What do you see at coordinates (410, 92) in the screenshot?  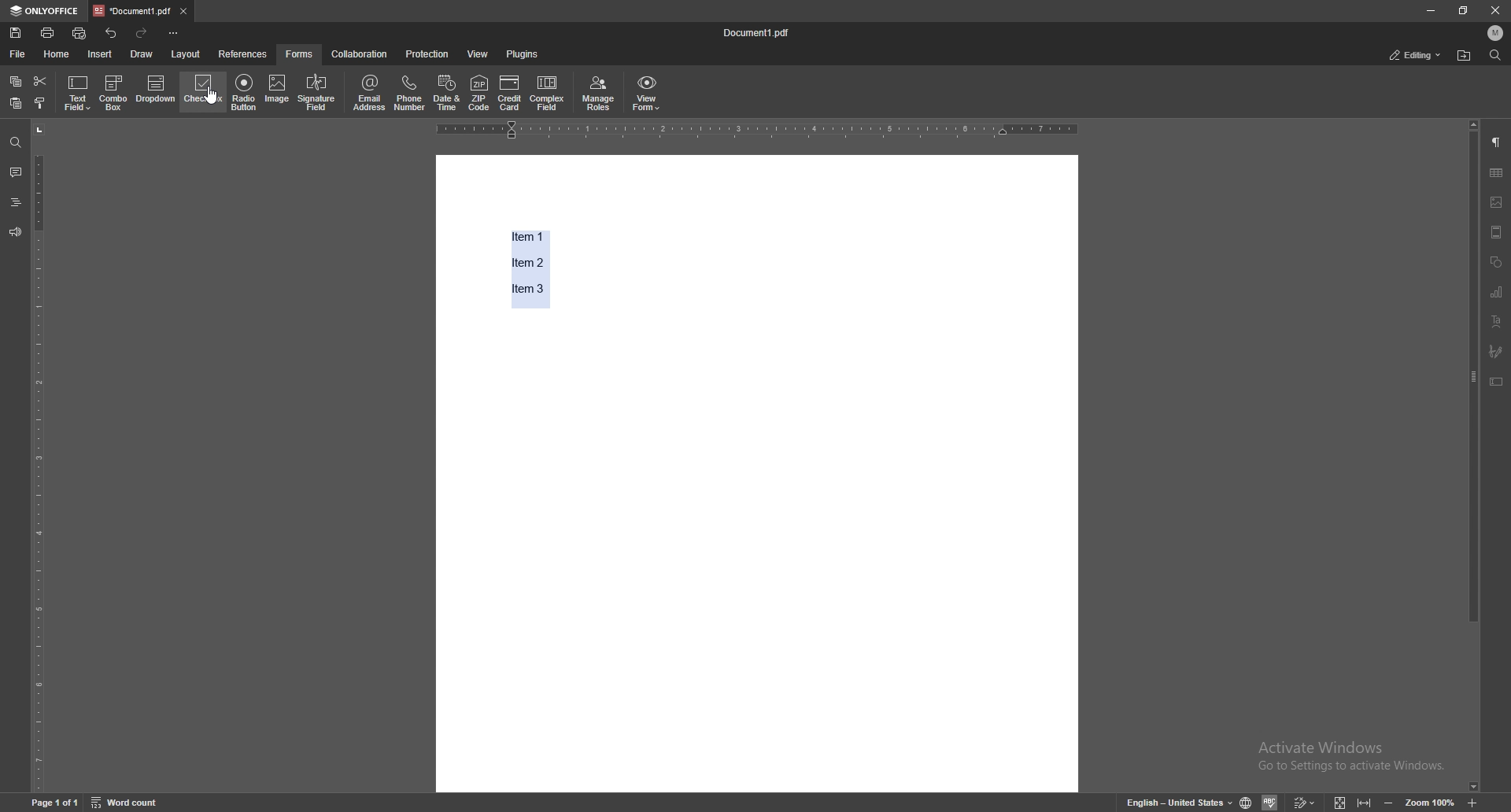 I see `phone number` at bounding box center [410, 92].